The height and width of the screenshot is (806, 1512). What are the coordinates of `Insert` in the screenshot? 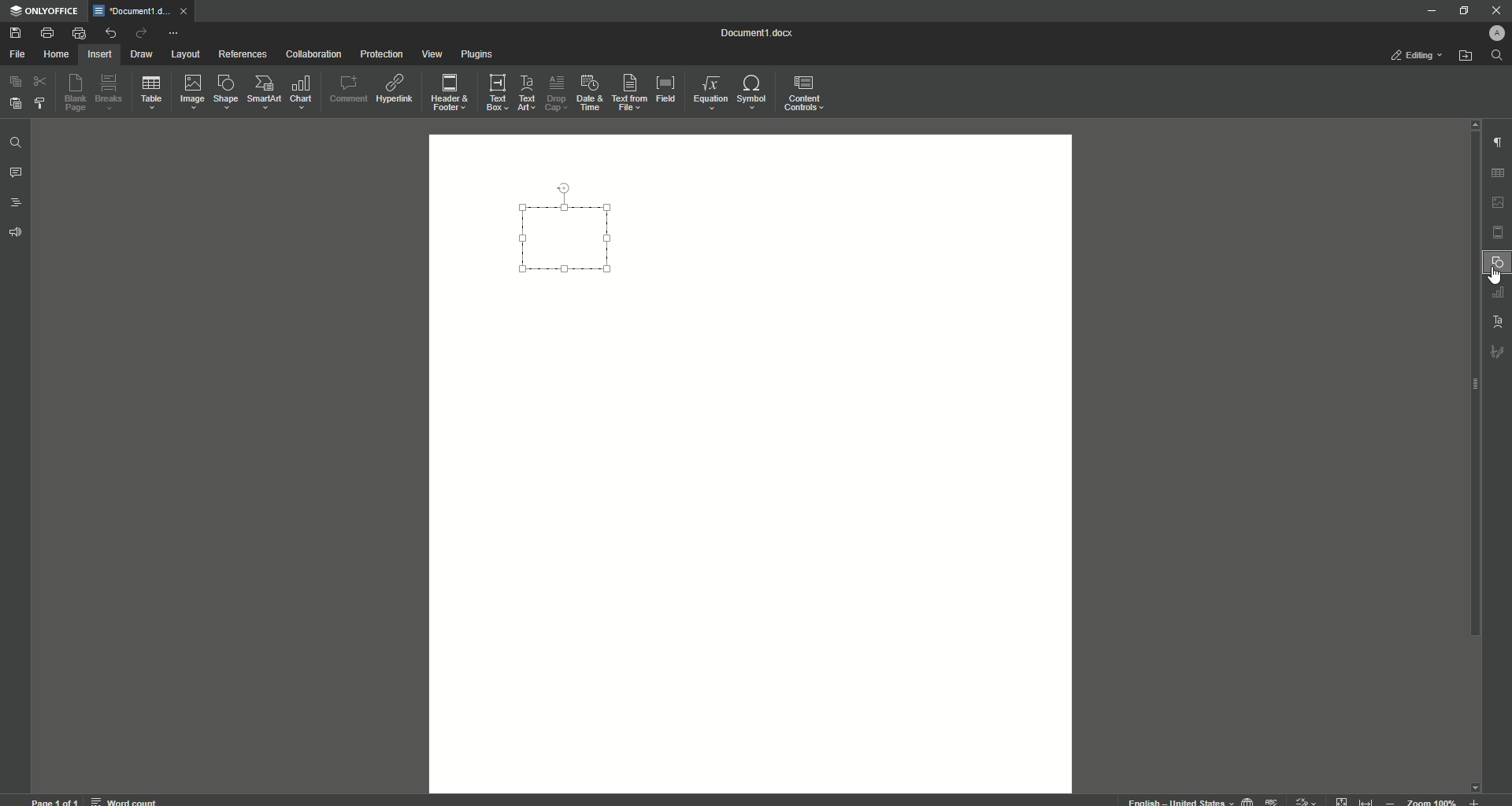 It's located at (98, 54).